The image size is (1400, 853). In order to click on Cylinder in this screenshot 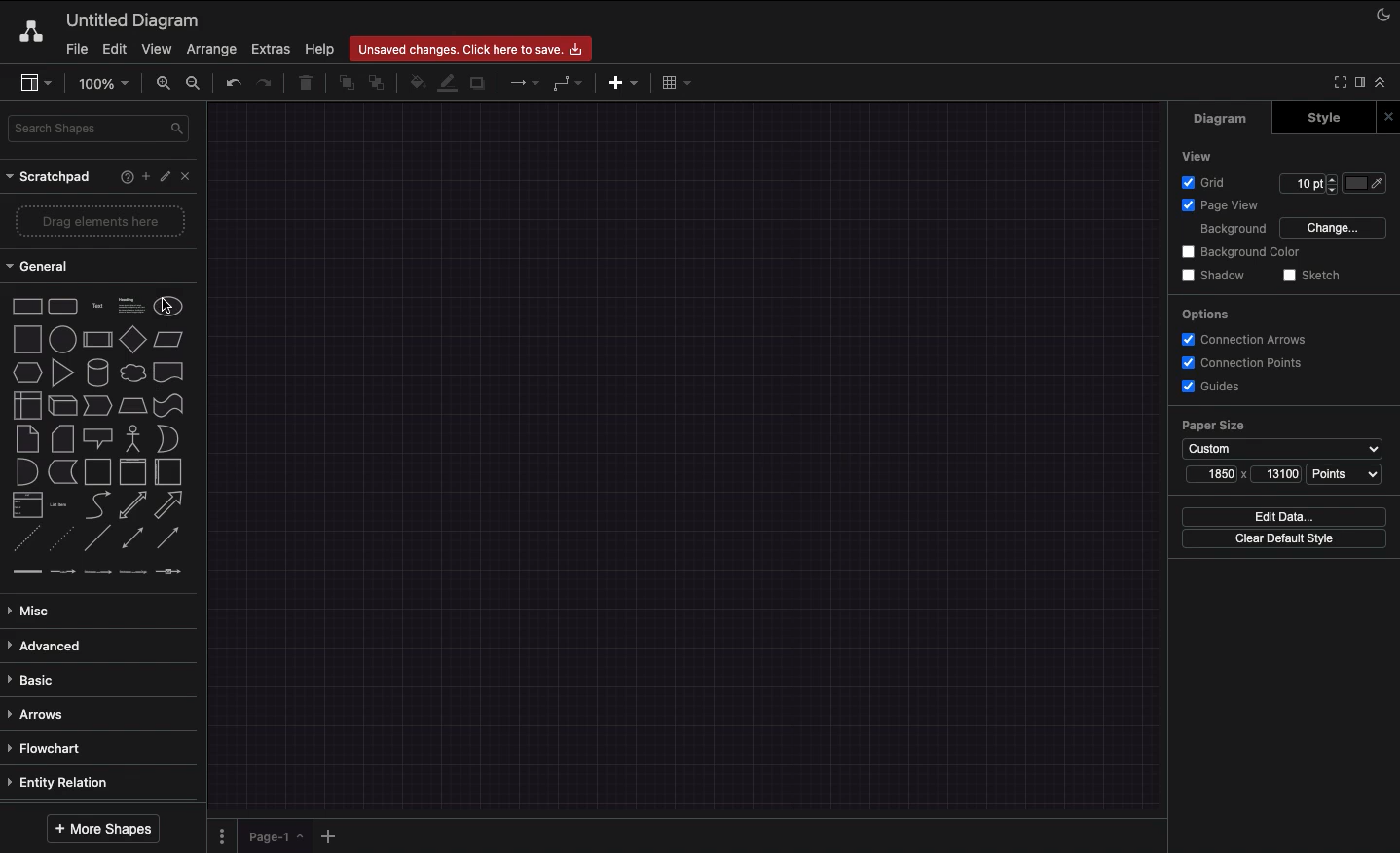, I will do `click(97, 373)`.